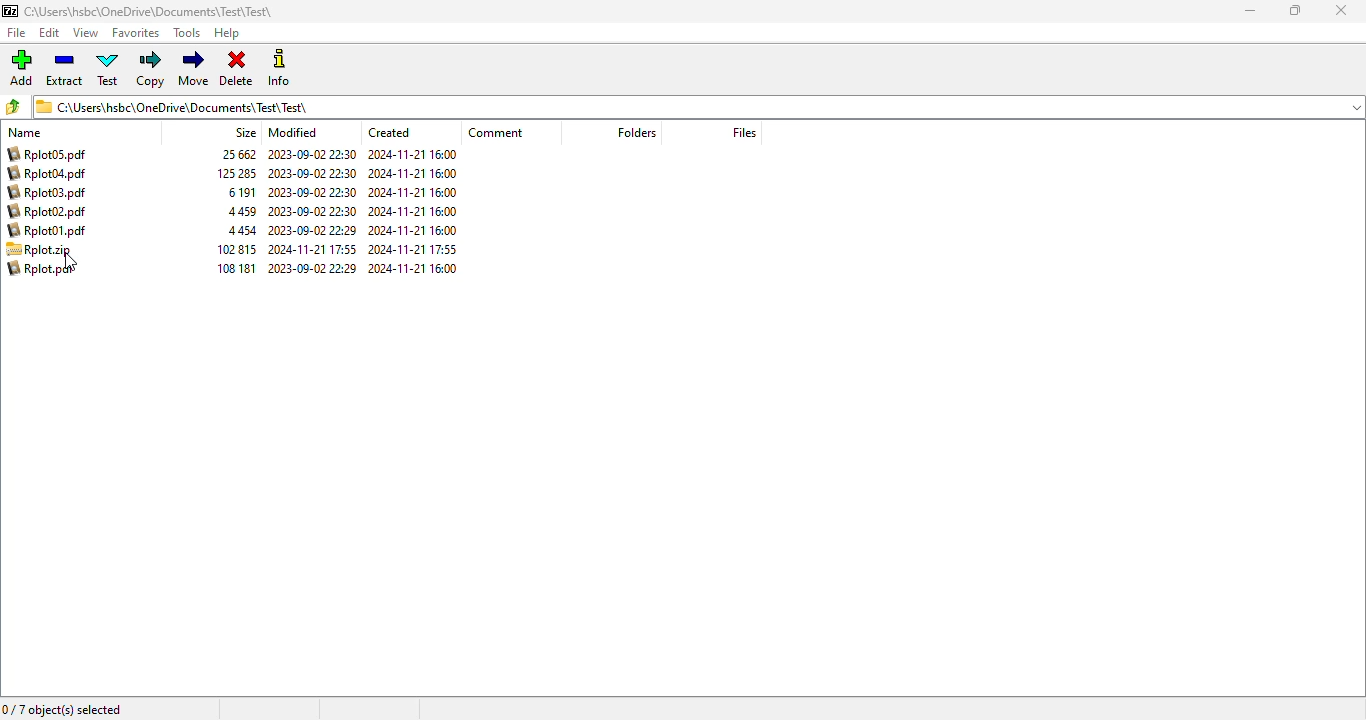  What do you see at coordinates (62, 709) in the screenshot?
I see `0/7 object(s) selected` at bounding box center [62, 709].